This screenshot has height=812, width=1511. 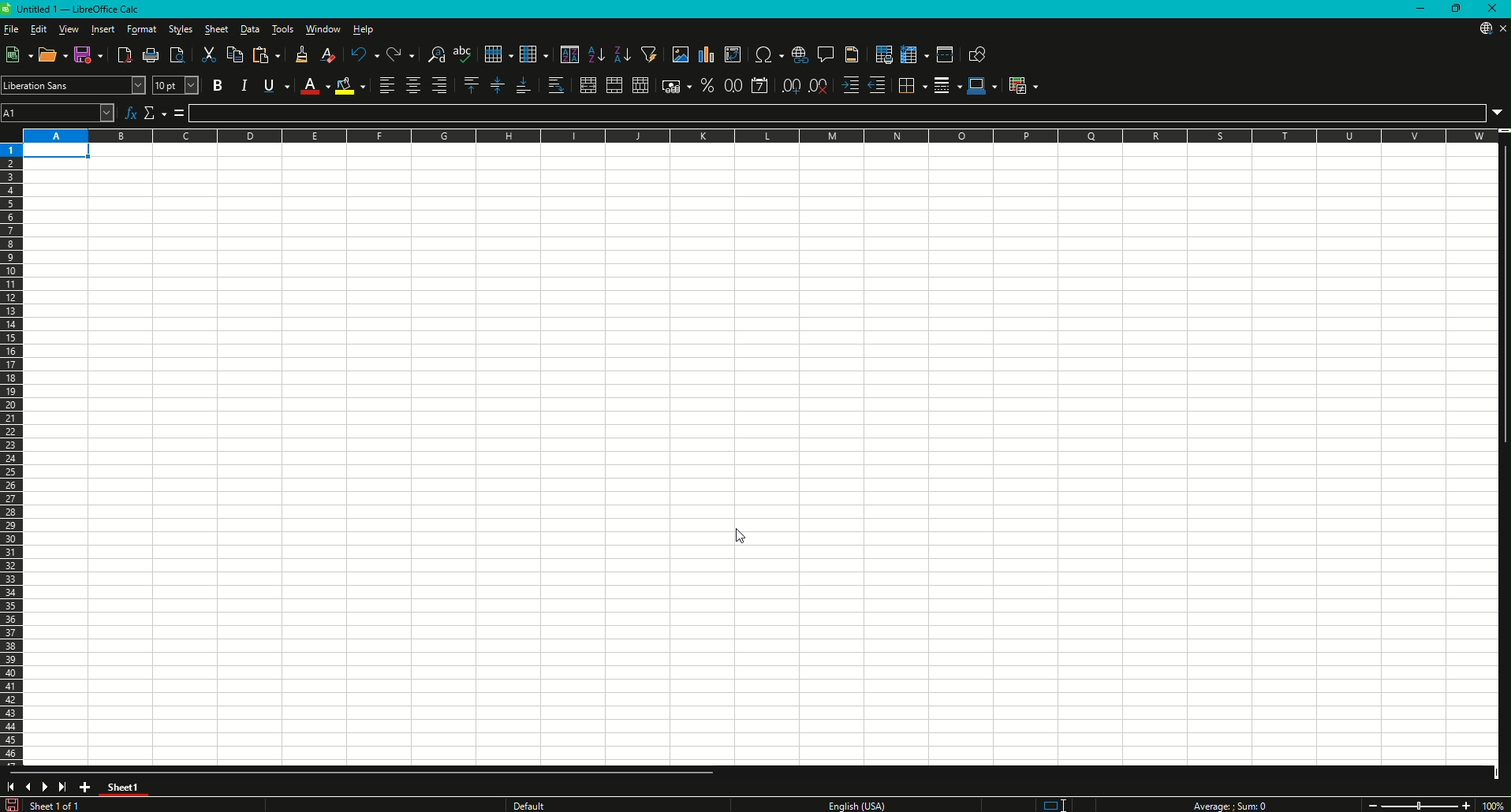 What do you see at coordinates (1485, 28) in the screenshot?
I see `Download from web` at bounding box center [1485, 28].